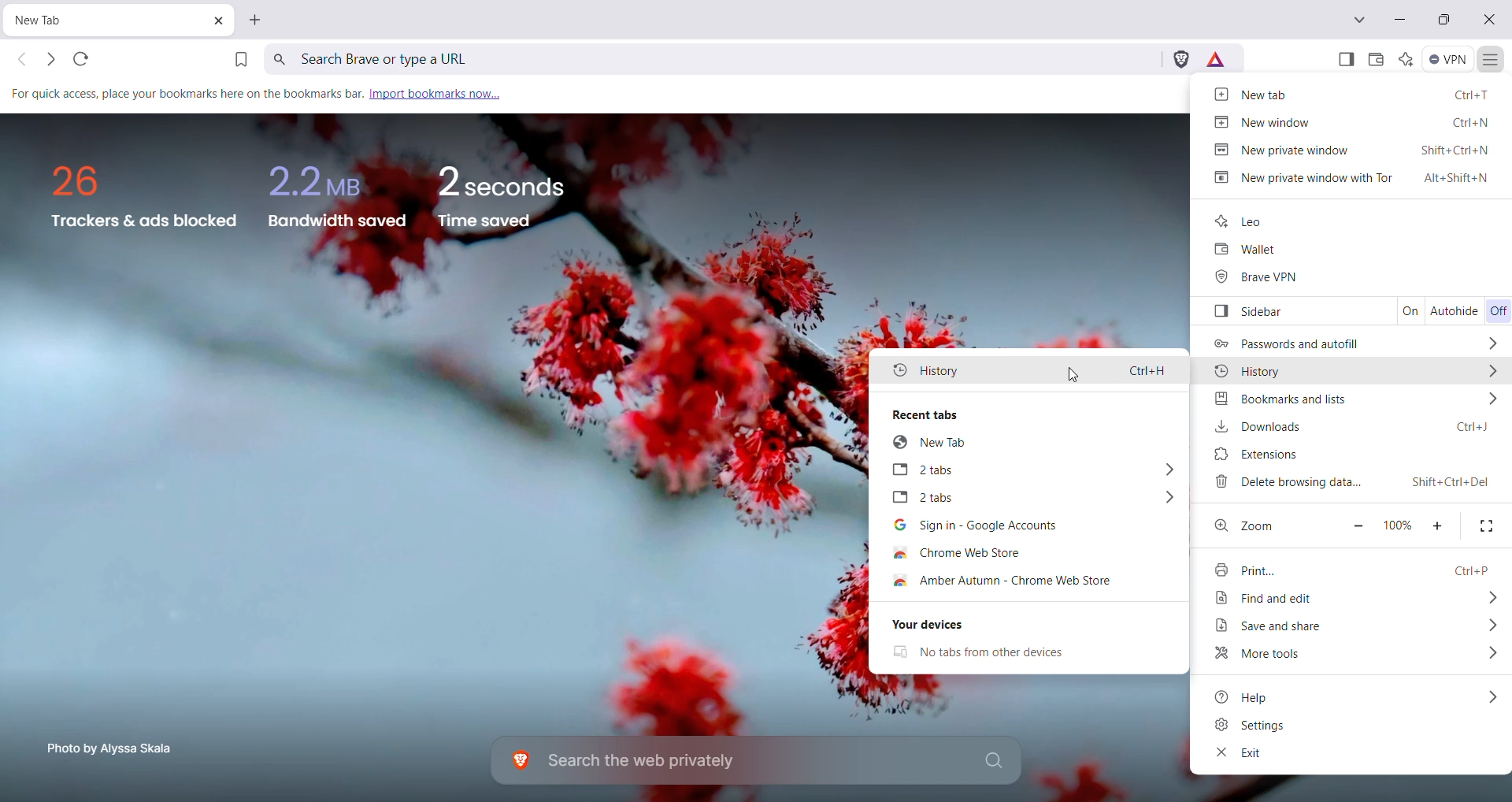 The width and height of the screenshot is (1512, 802). Describe the element at coordinates (1266, 278) in the screenshot. I see `Brave VPN` at that location.